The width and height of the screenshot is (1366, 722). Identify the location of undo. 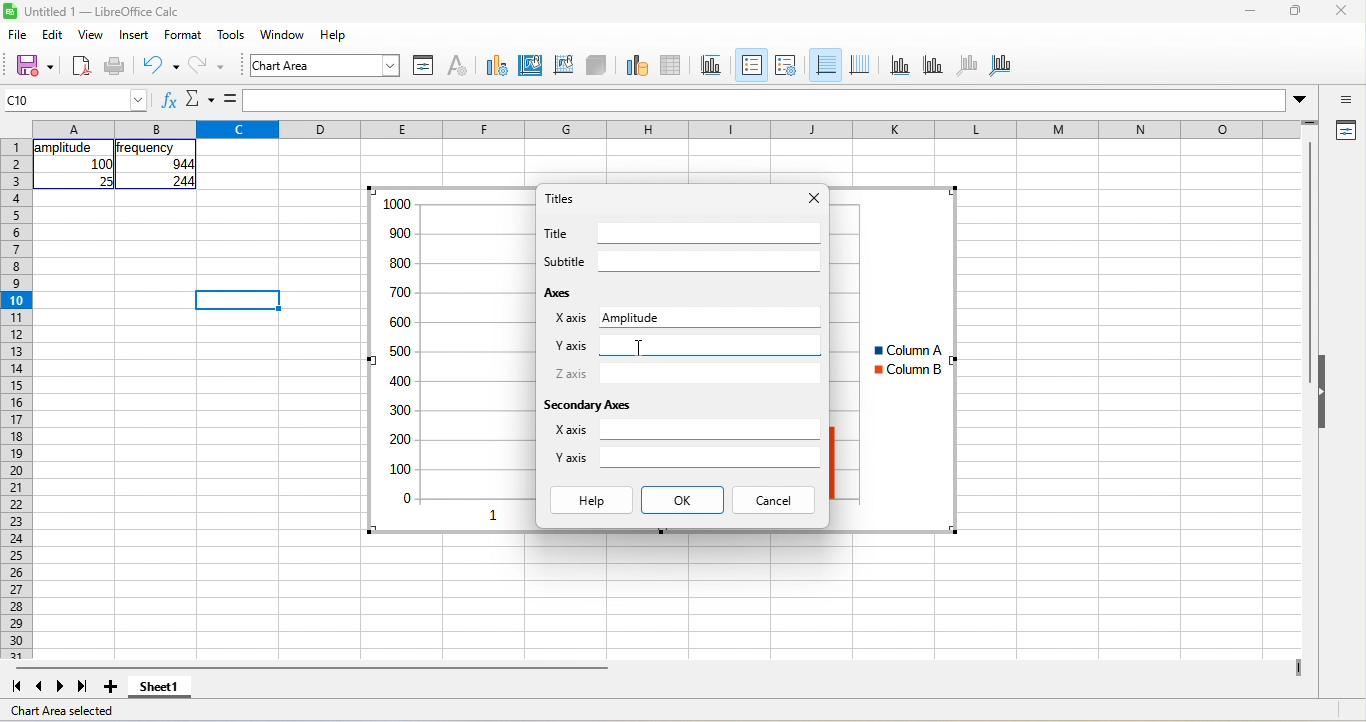
(161, 67).